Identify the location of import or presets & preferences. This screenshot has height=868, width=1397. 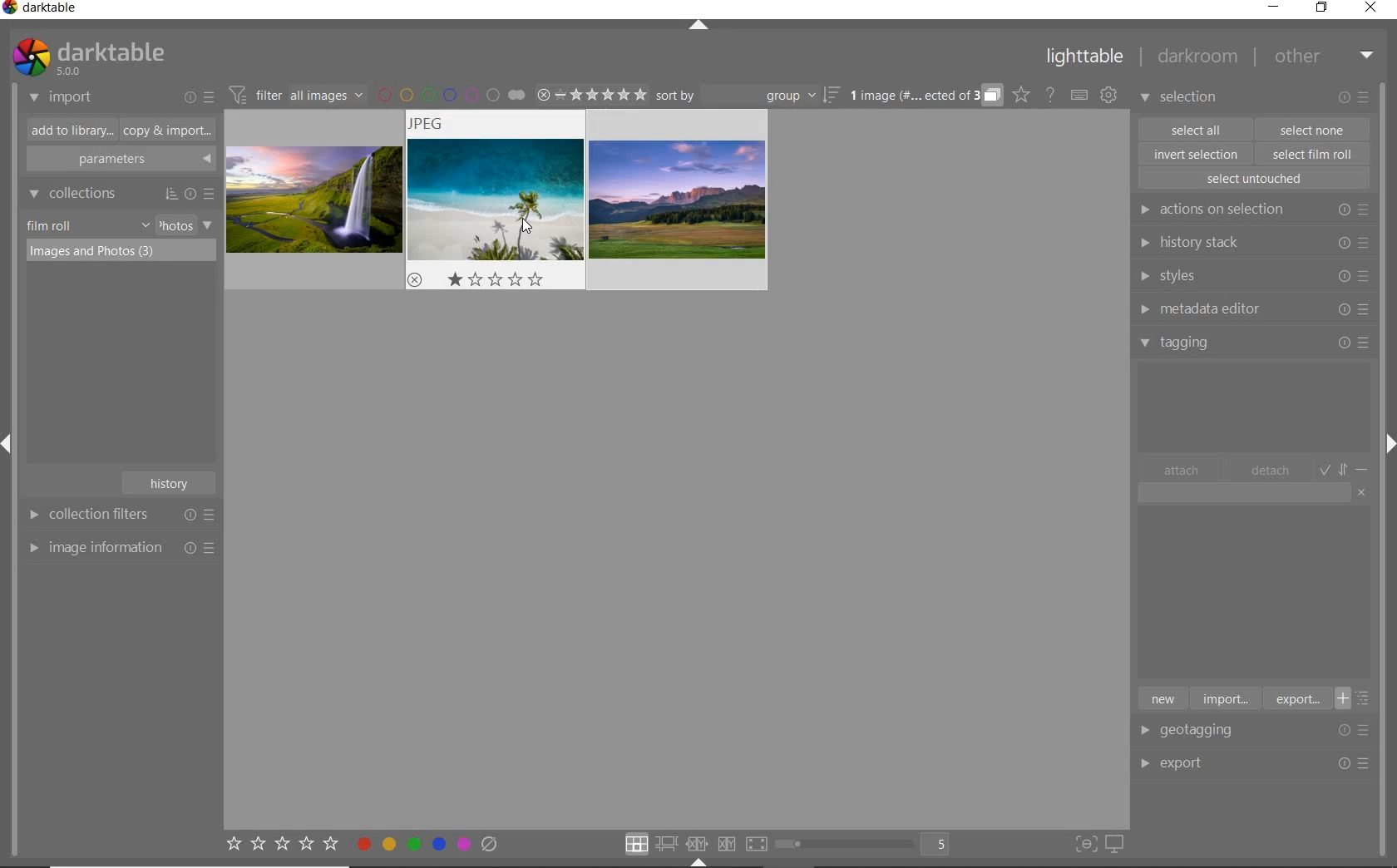
(199, 96).